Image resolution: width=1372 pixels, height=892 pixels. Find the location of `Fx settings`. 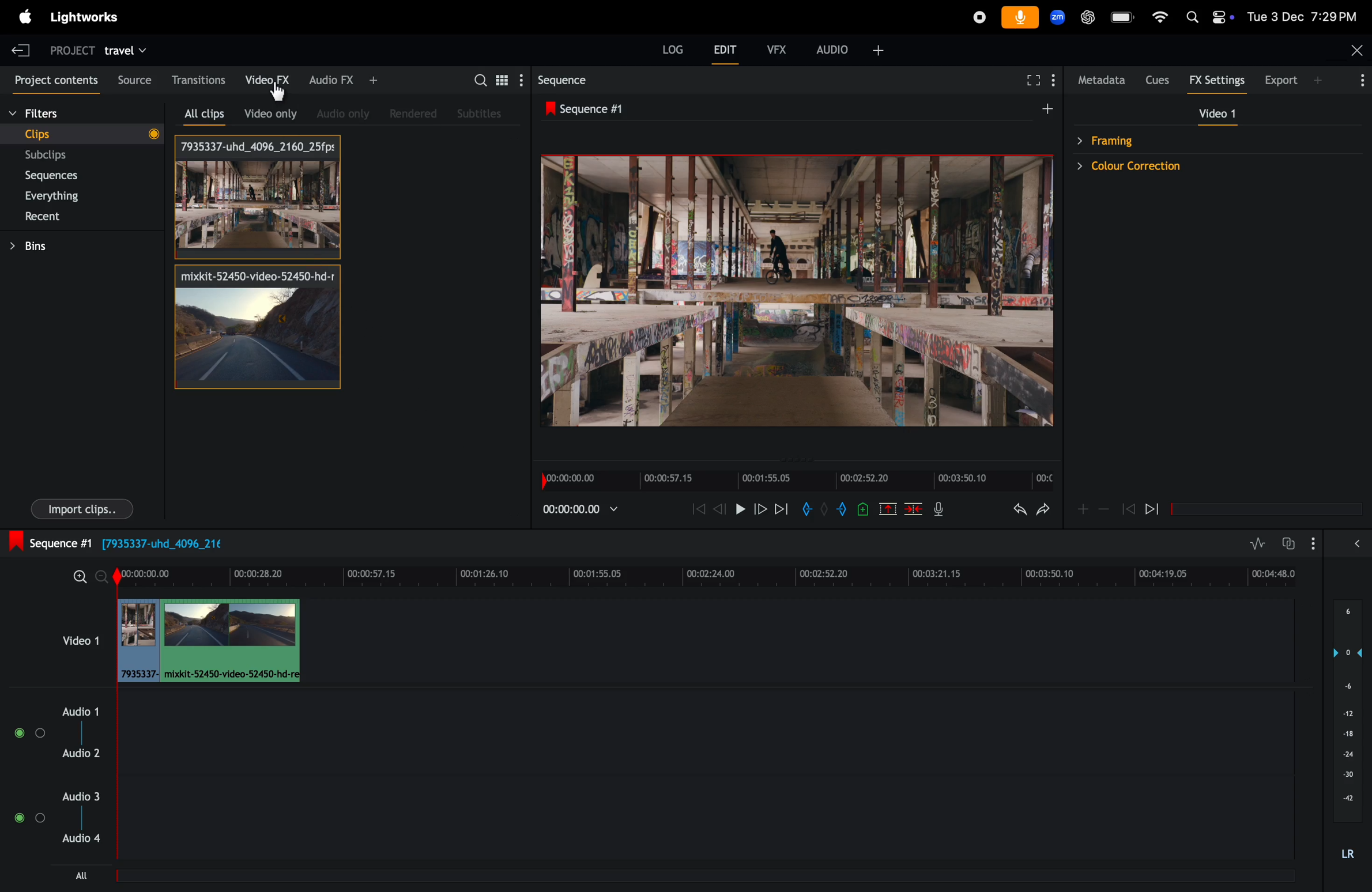

Fx settings is located at coordinates (1220, 80).